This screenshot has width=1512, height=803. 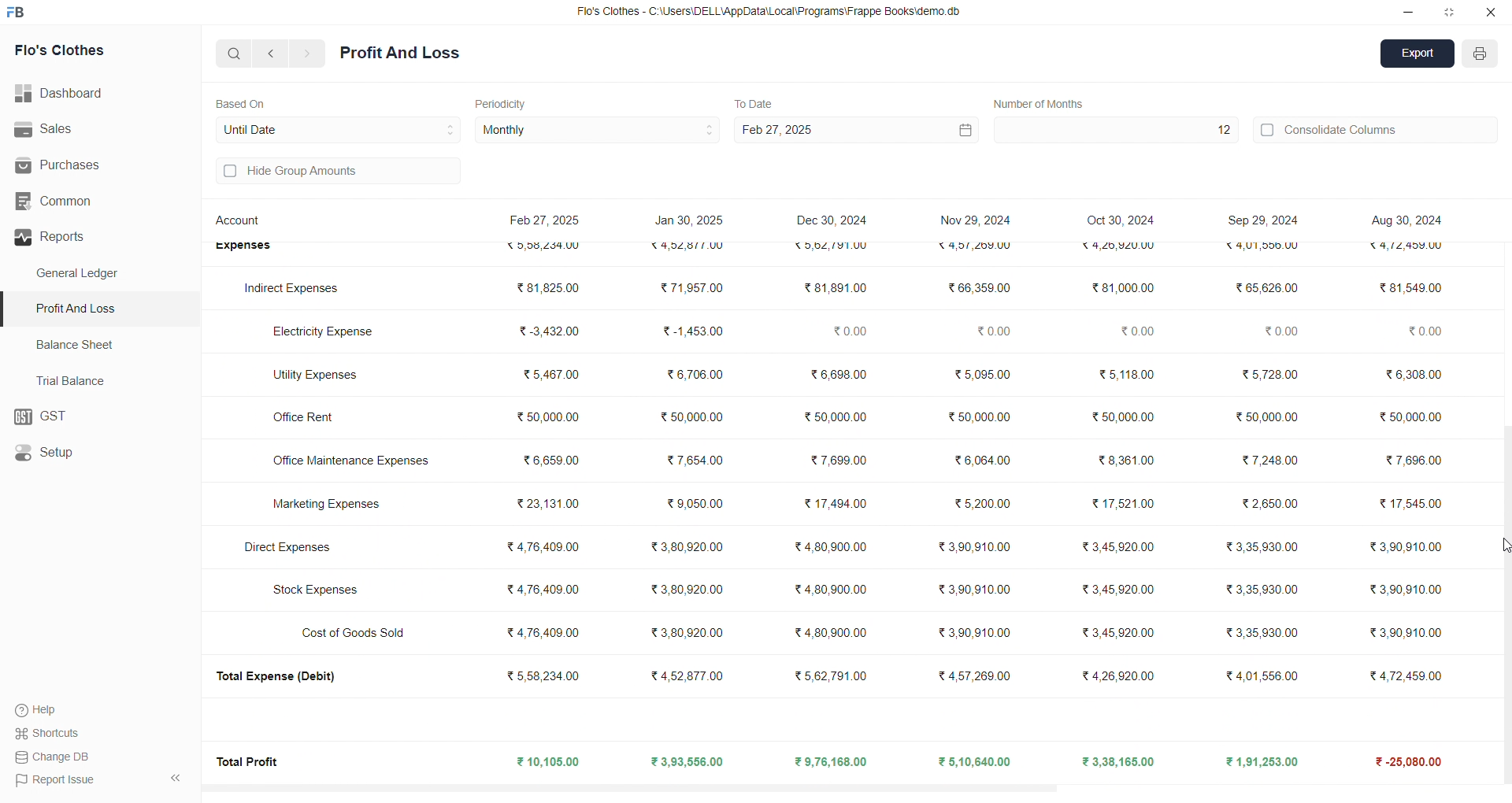 I want to click on navigate backward, so click(x=273, y=53).